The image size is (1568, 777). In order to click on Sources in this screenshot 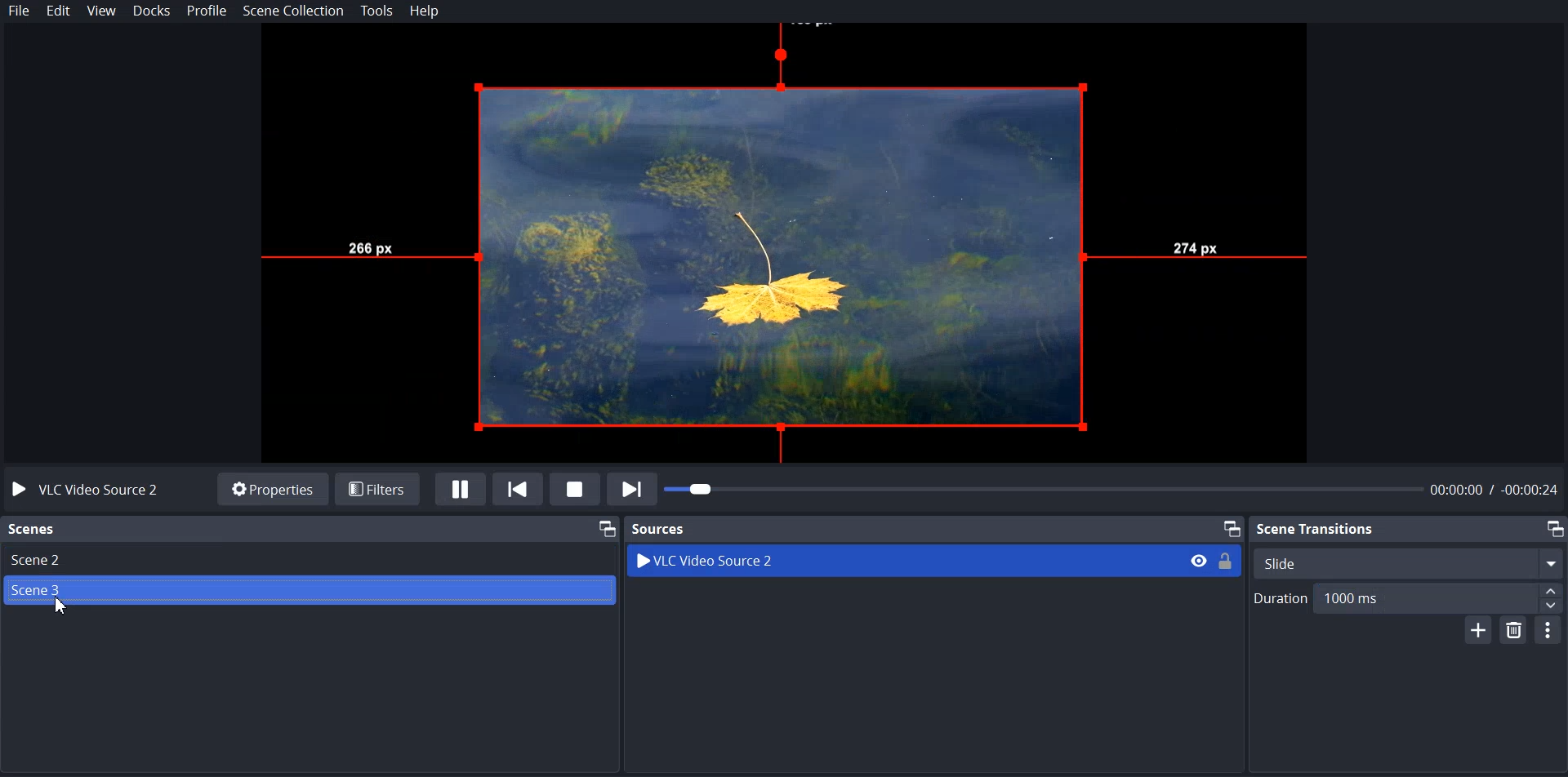, I will do `click(933, 528)`.